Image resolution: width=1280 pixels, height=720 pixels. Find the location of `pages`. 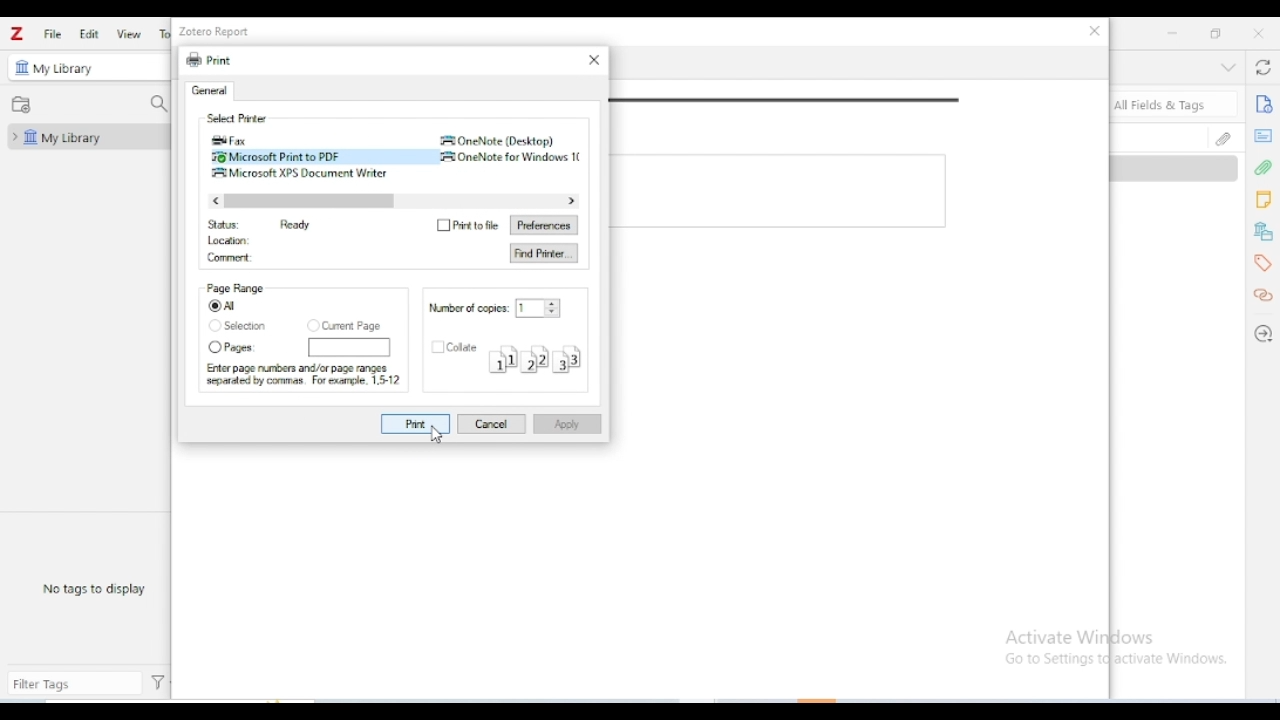

pages is located at coordinates (242, 349).